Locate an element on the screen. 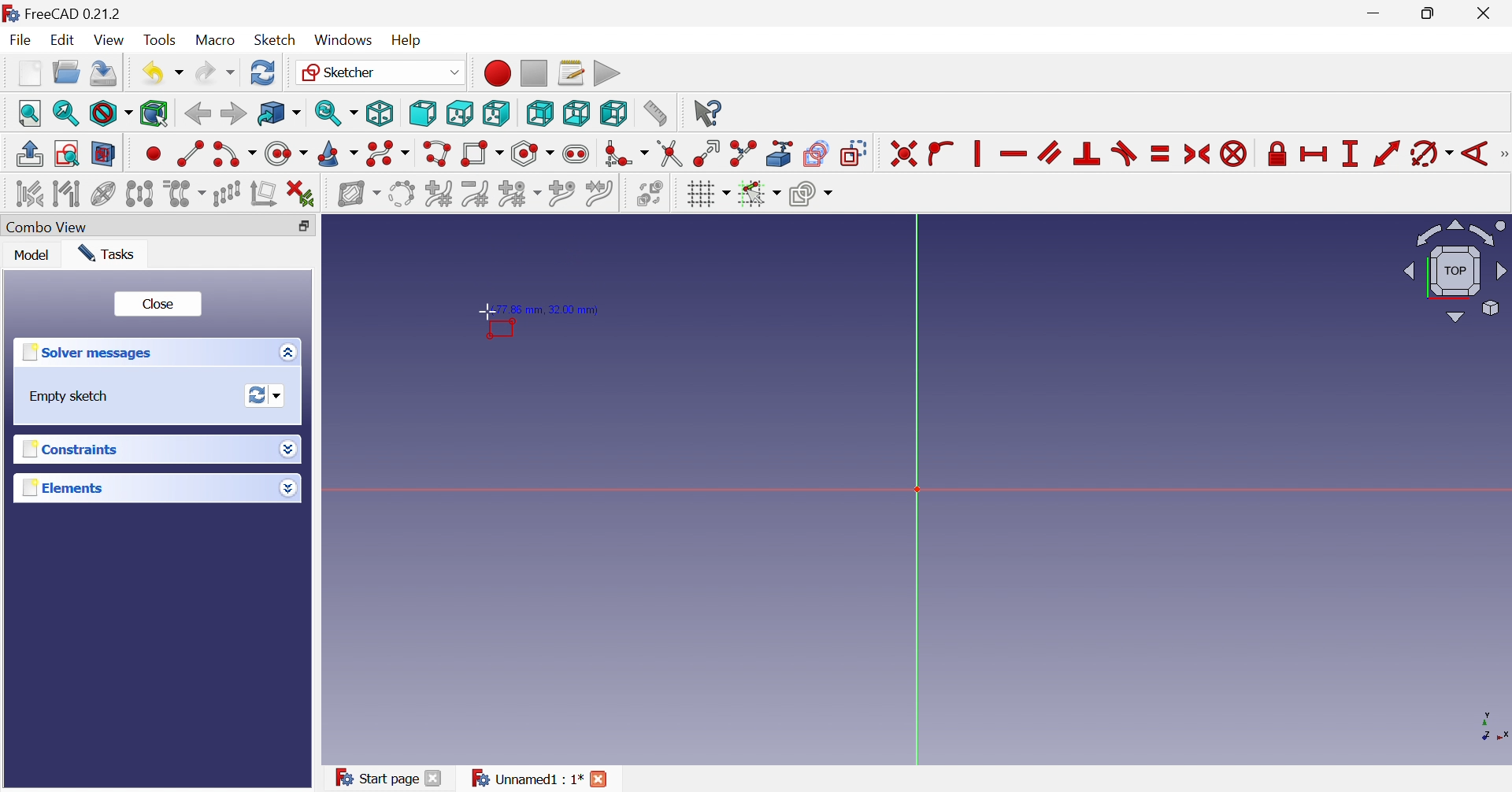 The width and height of the screenshot is (1512, 792). Rectangular array is located at coordinates (227, 194).